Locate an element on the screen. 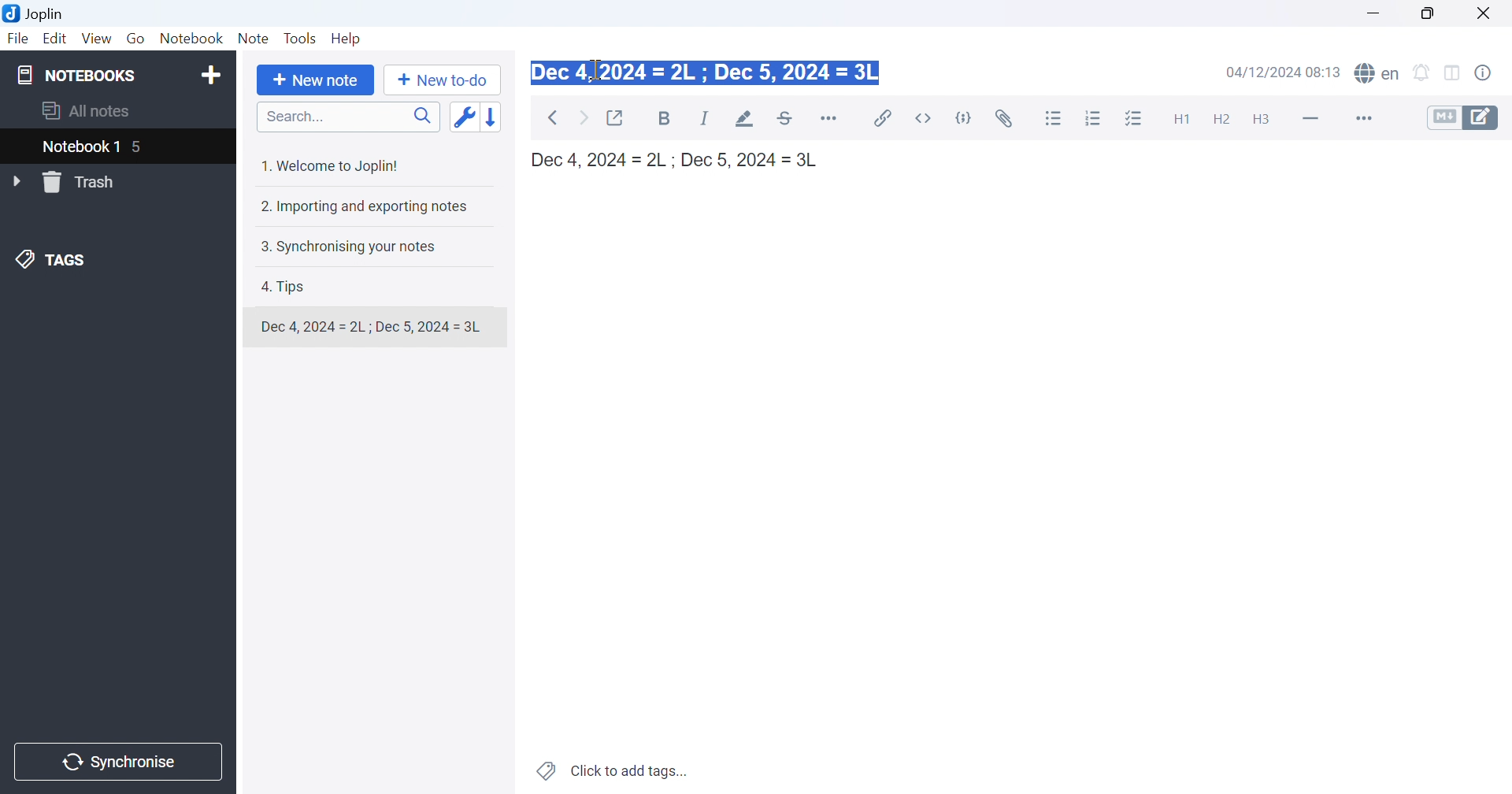  4 is located at coordinates (139, 147).